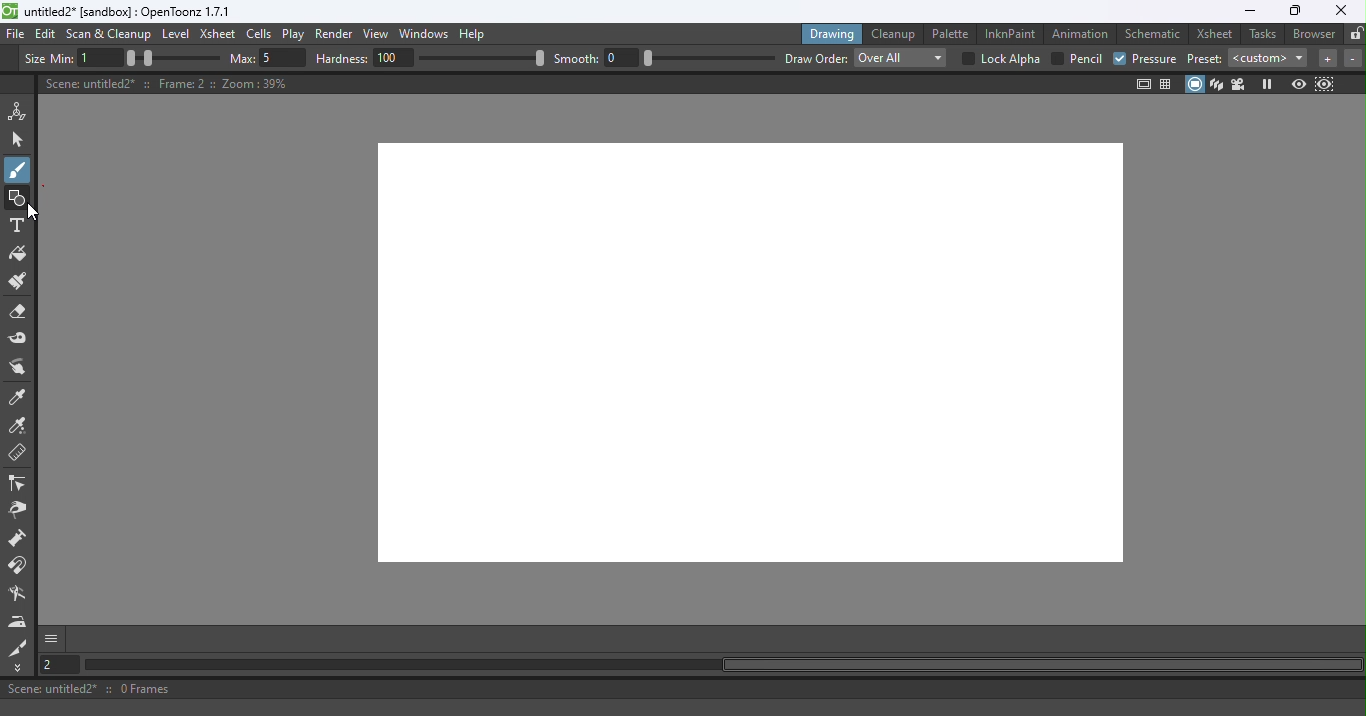 Image resolution: width=1366 pixels, height=716 pixels. What do you see at coordinates (1311, 33) in the screenshot?
I see `Browser` at bounding box center [1311, 33].